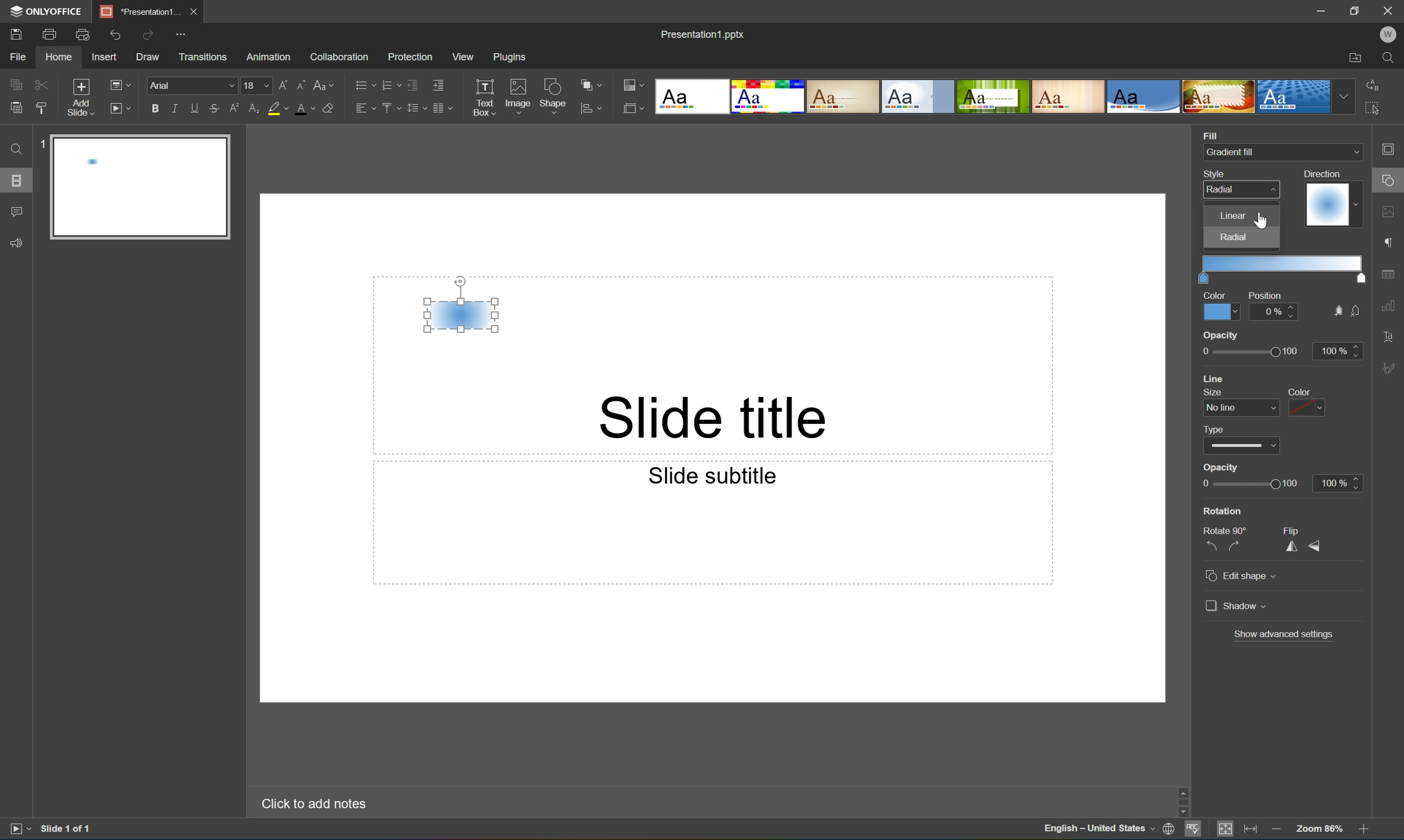 This screenshot has width=1404, height=840. I want to click on Arrange shape, so click(594, 85).